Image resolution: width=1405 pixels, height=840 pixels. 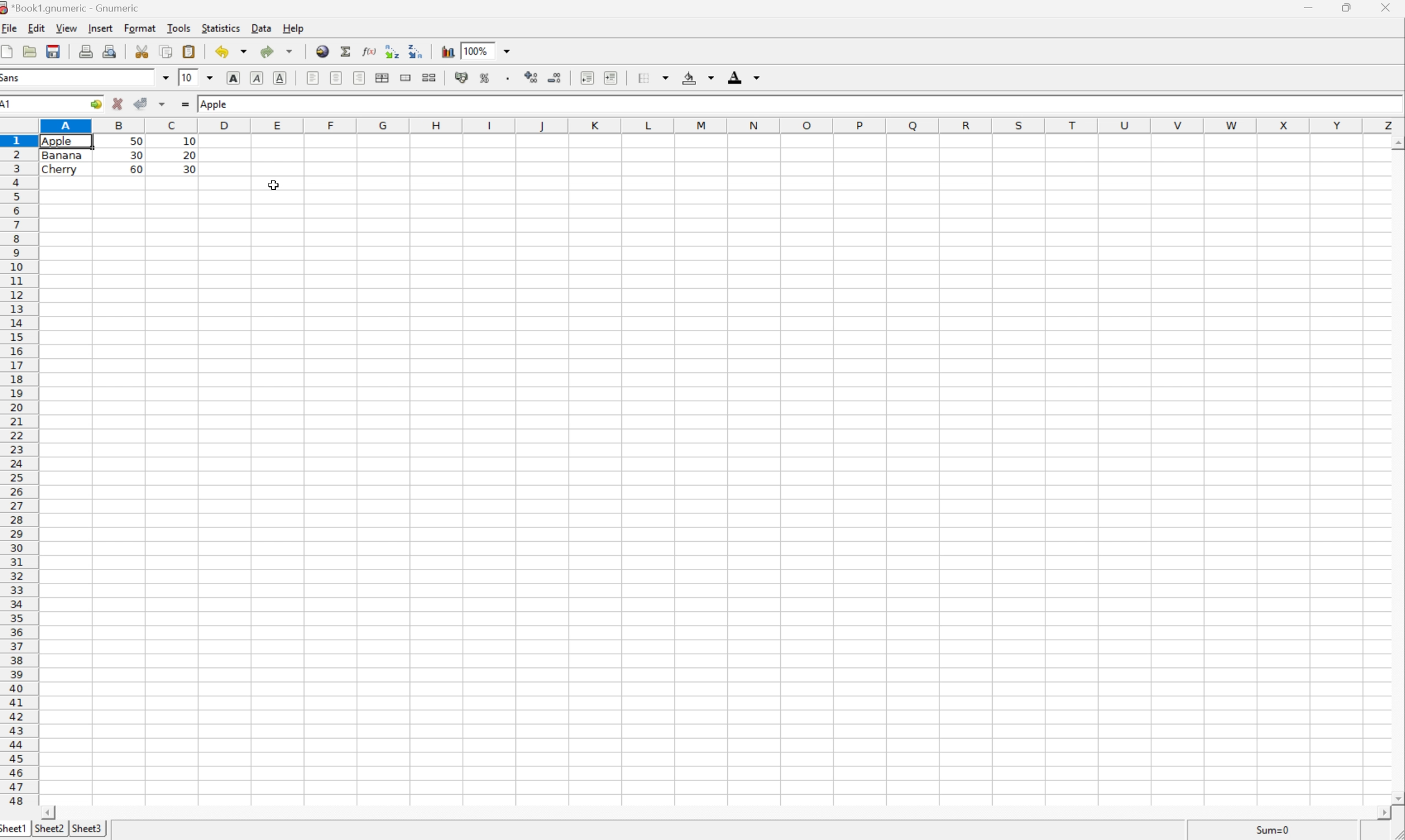 I want to click on sheet2, so click(x=49, y=828).